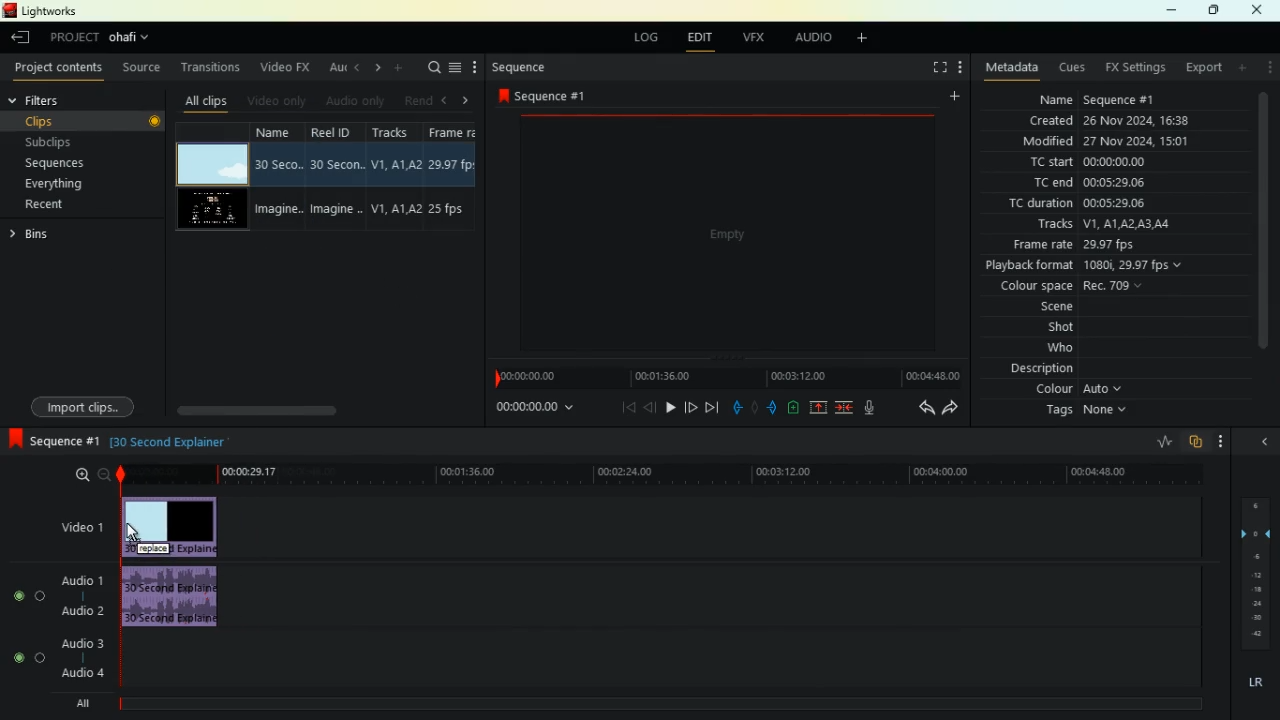 Image resolution: width=1280 pixels, height=720 pixels. What do you see at coordinates (722, 375) in the screenshot?
I see `timeline` at bounding box center [722, 375].